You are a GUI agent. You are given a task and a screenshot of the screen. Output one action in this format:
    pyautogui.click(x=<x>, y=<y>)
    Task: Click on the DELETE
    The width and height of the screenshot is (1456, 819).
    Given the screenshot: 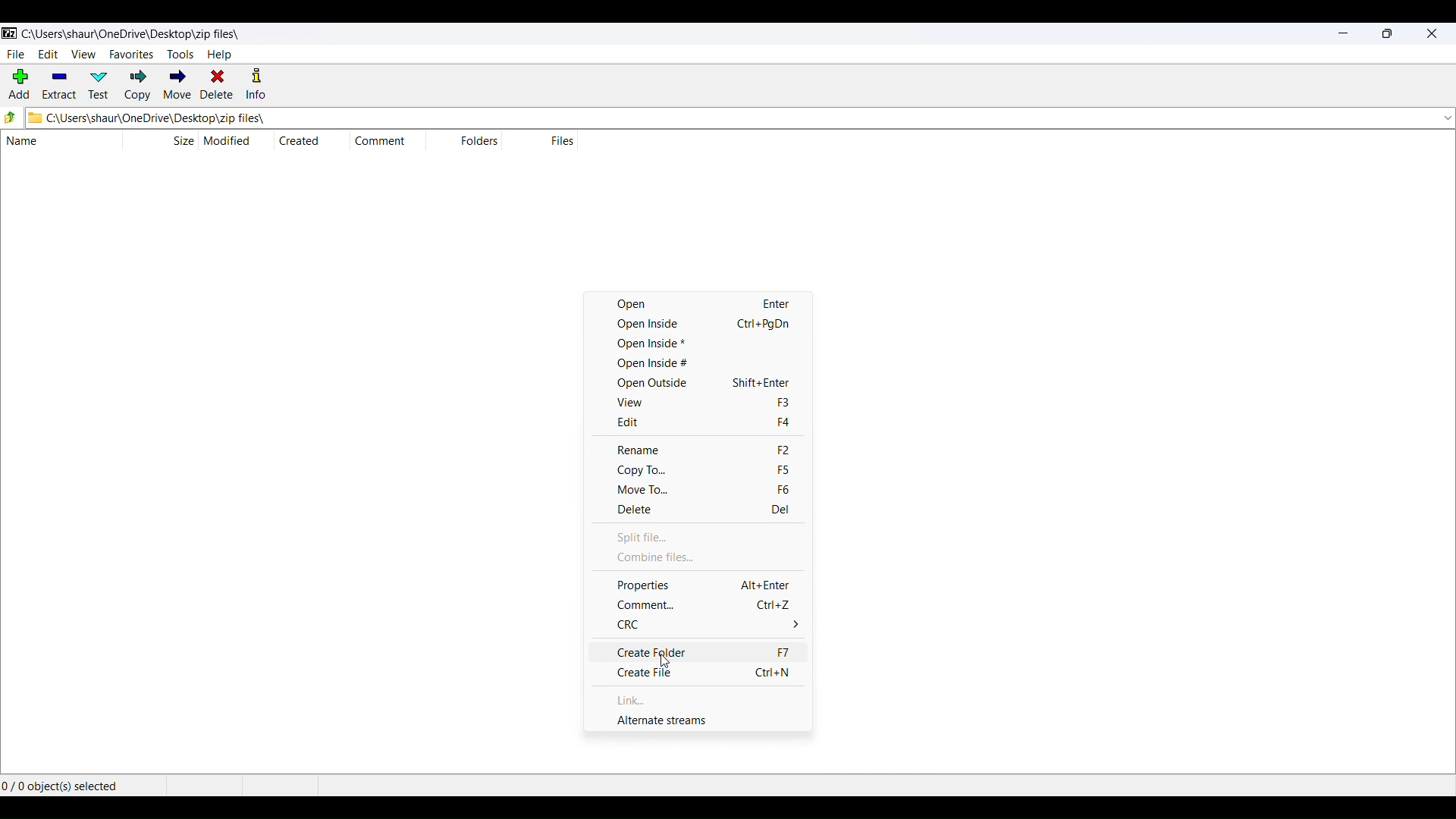 What is the action you would take?
    pyautogui.click(x=217, y=85)
    